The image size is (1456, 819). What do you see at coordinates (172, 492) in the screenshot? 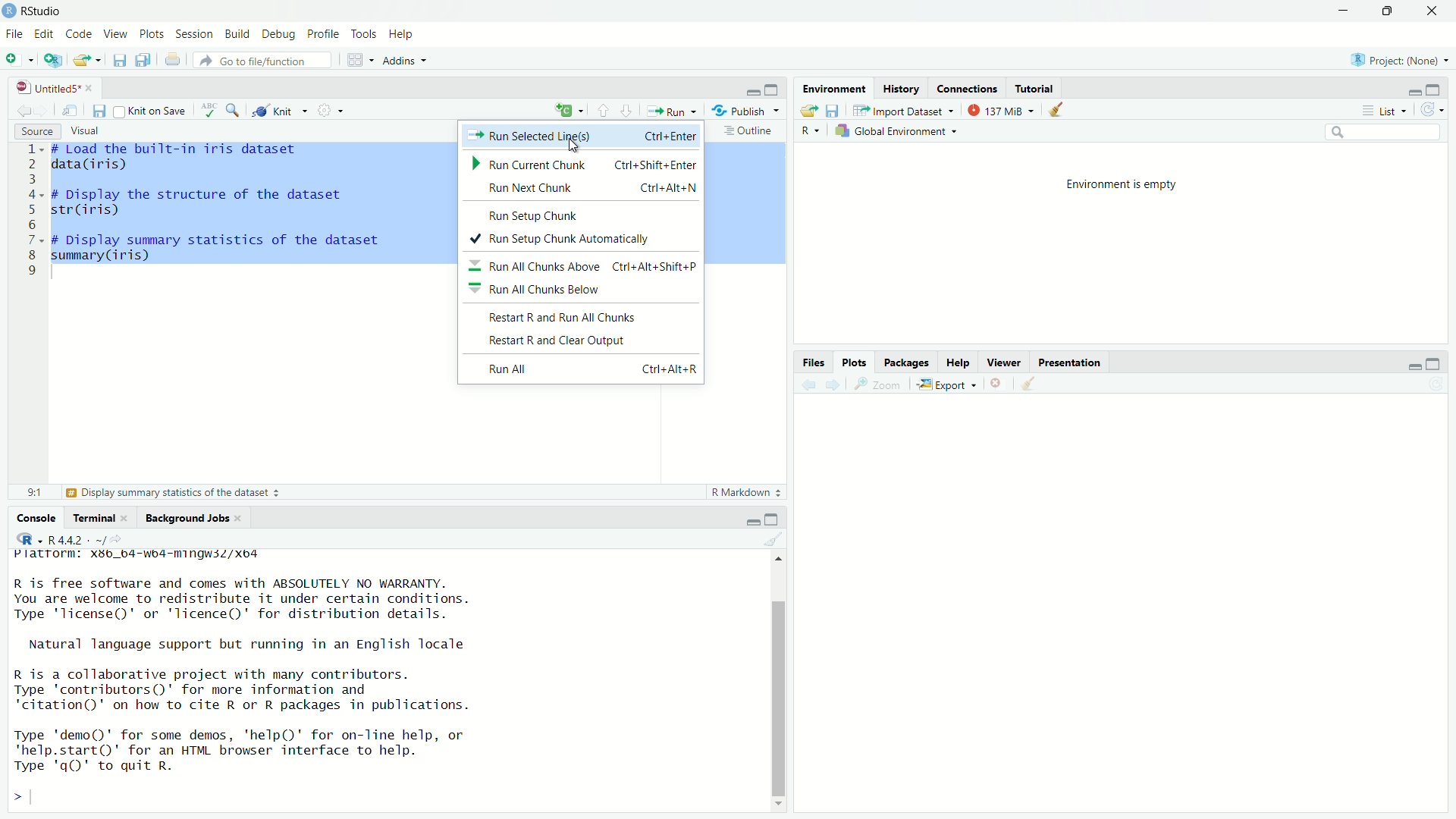
I see `Display summary statistics of the dataset` at bounding box center [172, 492].